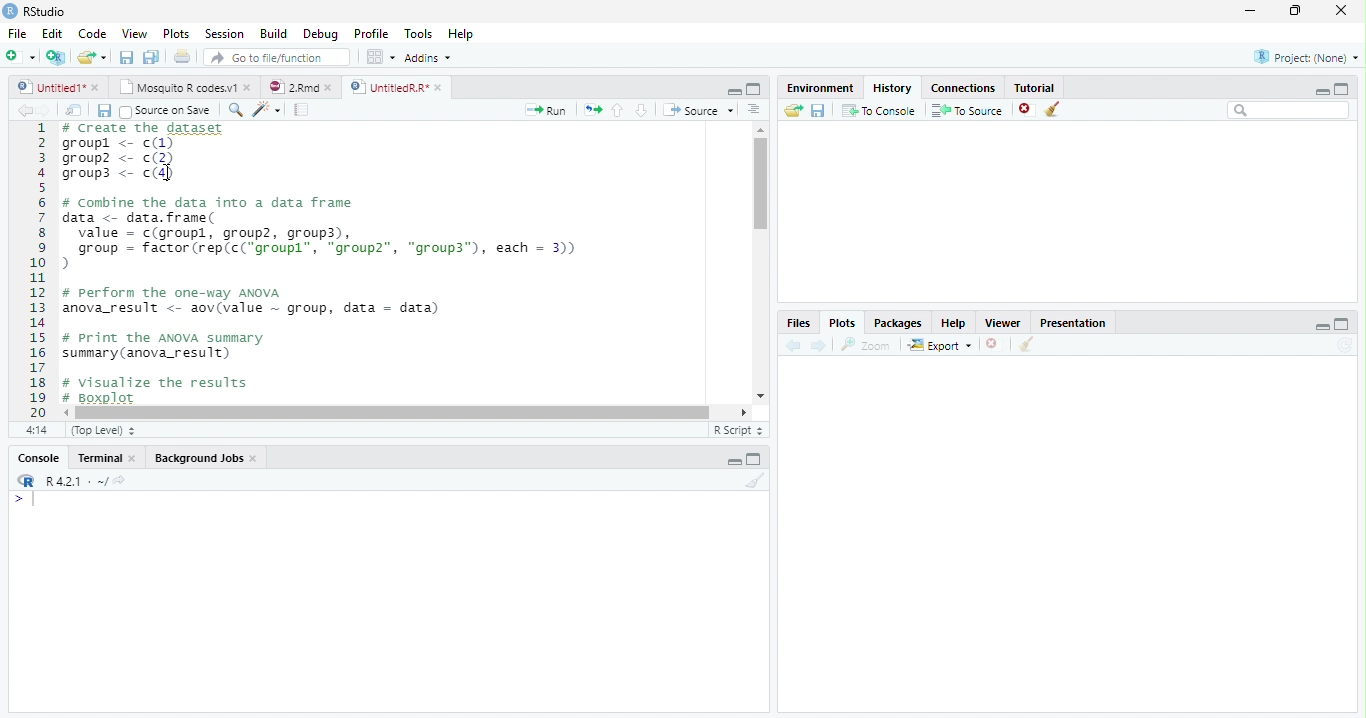 This screenshot has height=718, width=1366. Describe the element at coordinates (590, 109) in the screenshot. I see `Copy pages` at that location.